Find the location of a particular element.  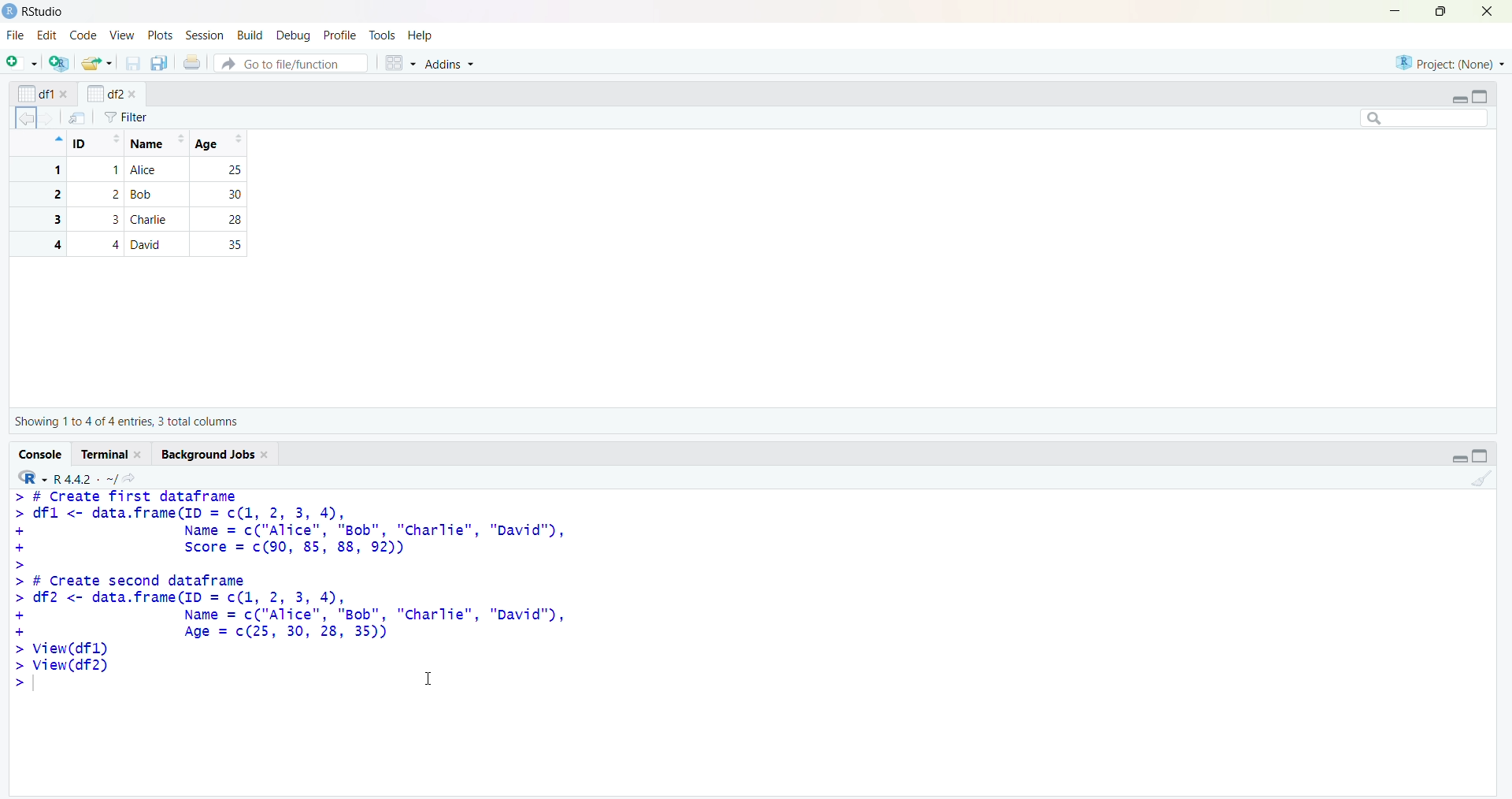

> # Create first dataframe> dfl <- data.frame(ID = c(1, 2, 3, 4),+ Name = c("Alice", "Bob", "charlie", "David"),+ Score = c(90, 85, 88, 92))>> # Create second dataframe> df2 <- data.frame(ID = c(1, 2, 3, 4),+ Name = c("Alice", "Bob", "Charlie", "David"),+ Age = c(25, 30, 28, 35))> View(dfl) > View(df2)> is located at coordinates (291, 591).